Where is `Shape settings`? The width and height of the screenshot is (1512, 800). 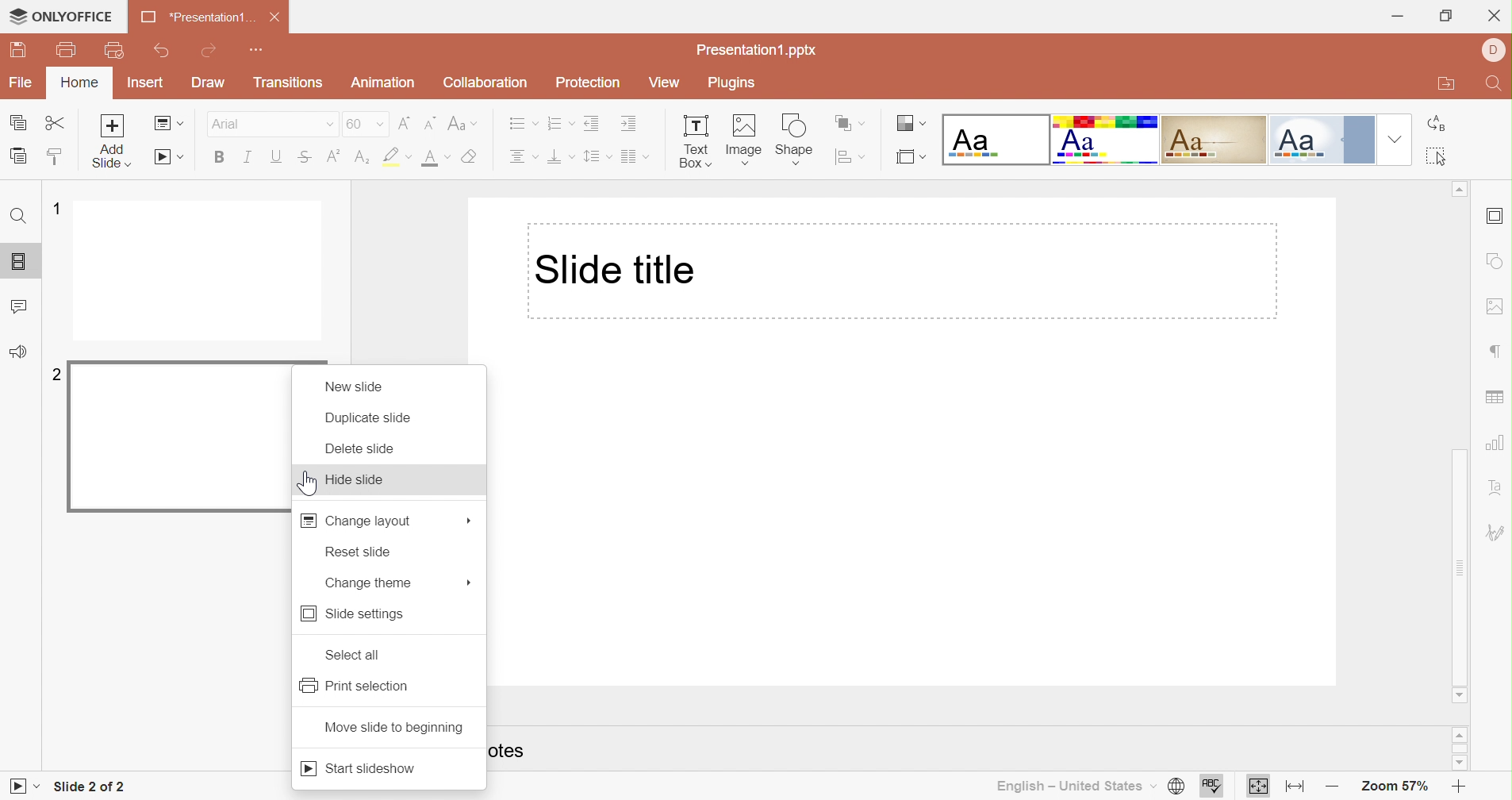 Shape settings is located at coordinates (1495, 260).